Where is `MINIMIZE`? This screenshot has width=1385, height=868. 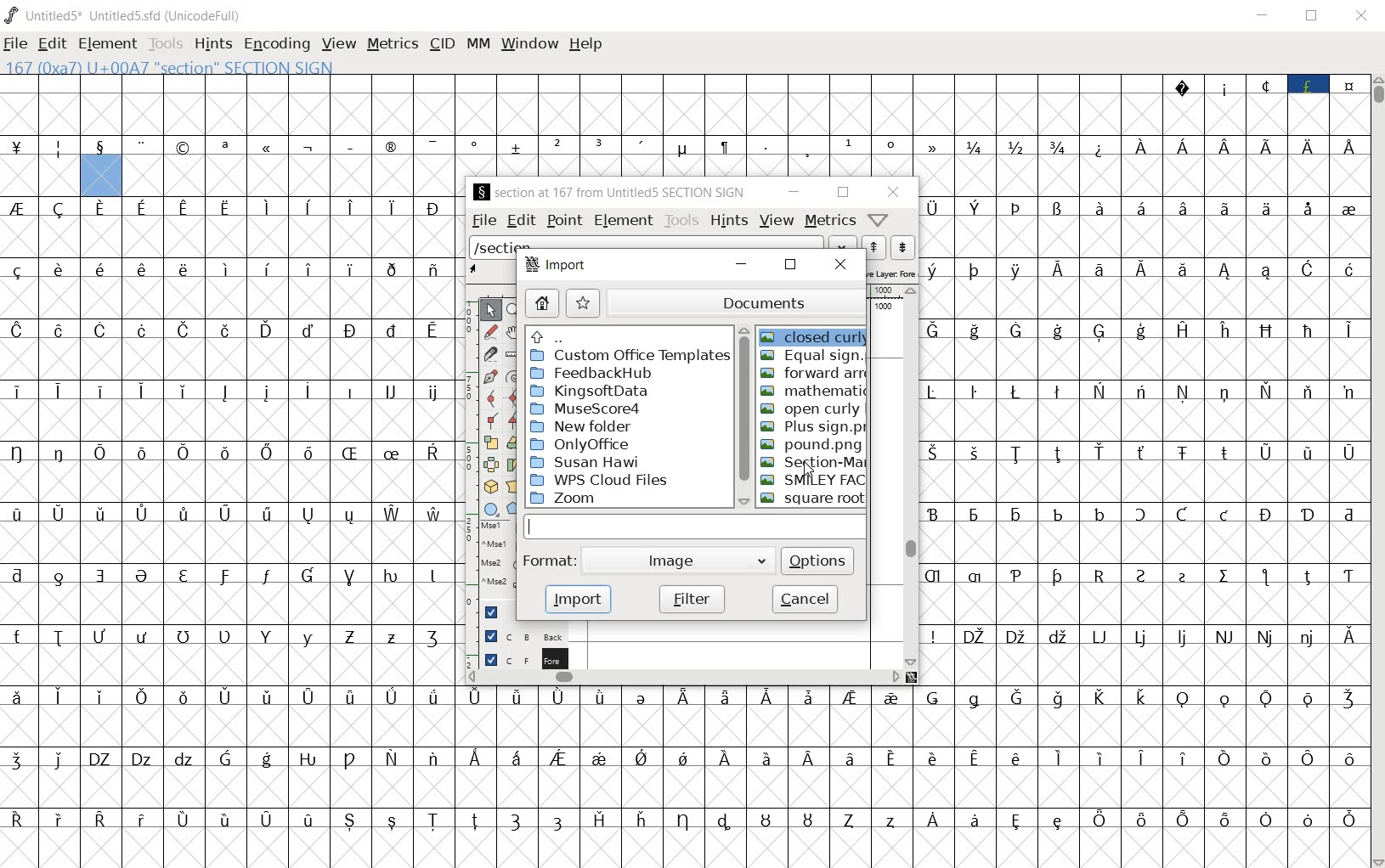 MINIMIZE is located at coordinates (1265, 15).